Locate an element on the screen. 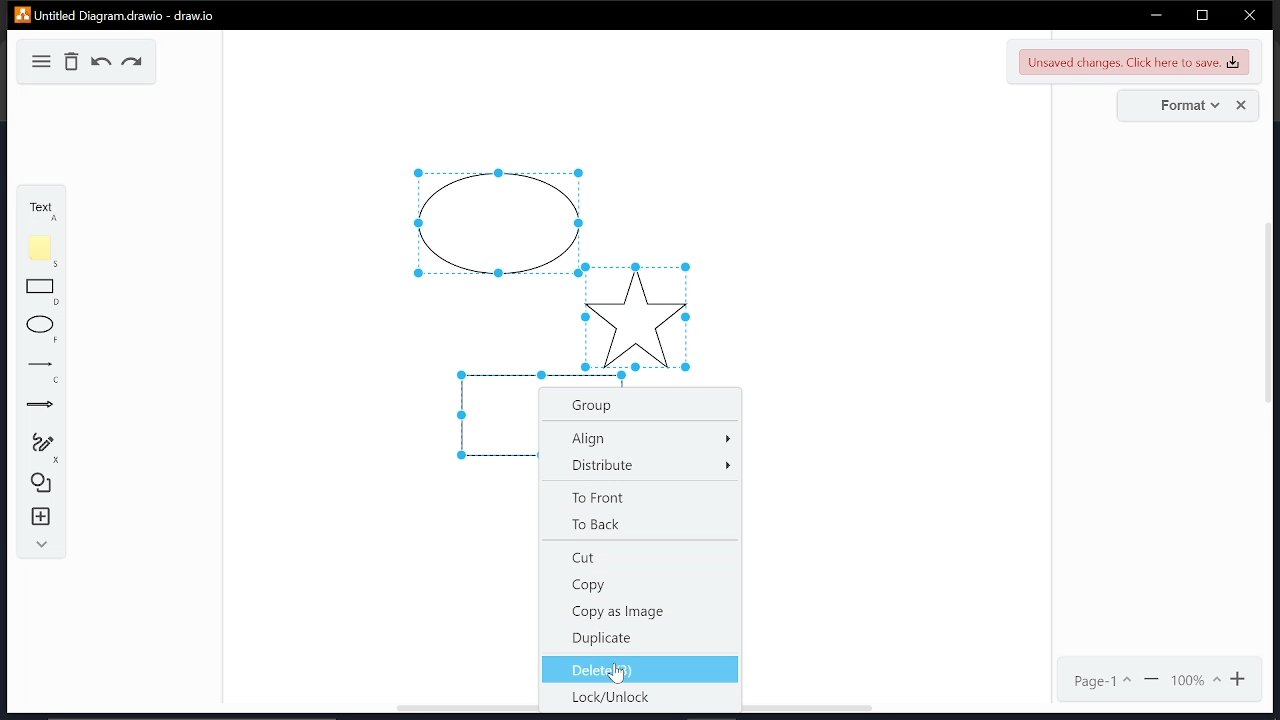 This screenshot has height=720, width=1280. ellipse is located at coordinates (42, 330).